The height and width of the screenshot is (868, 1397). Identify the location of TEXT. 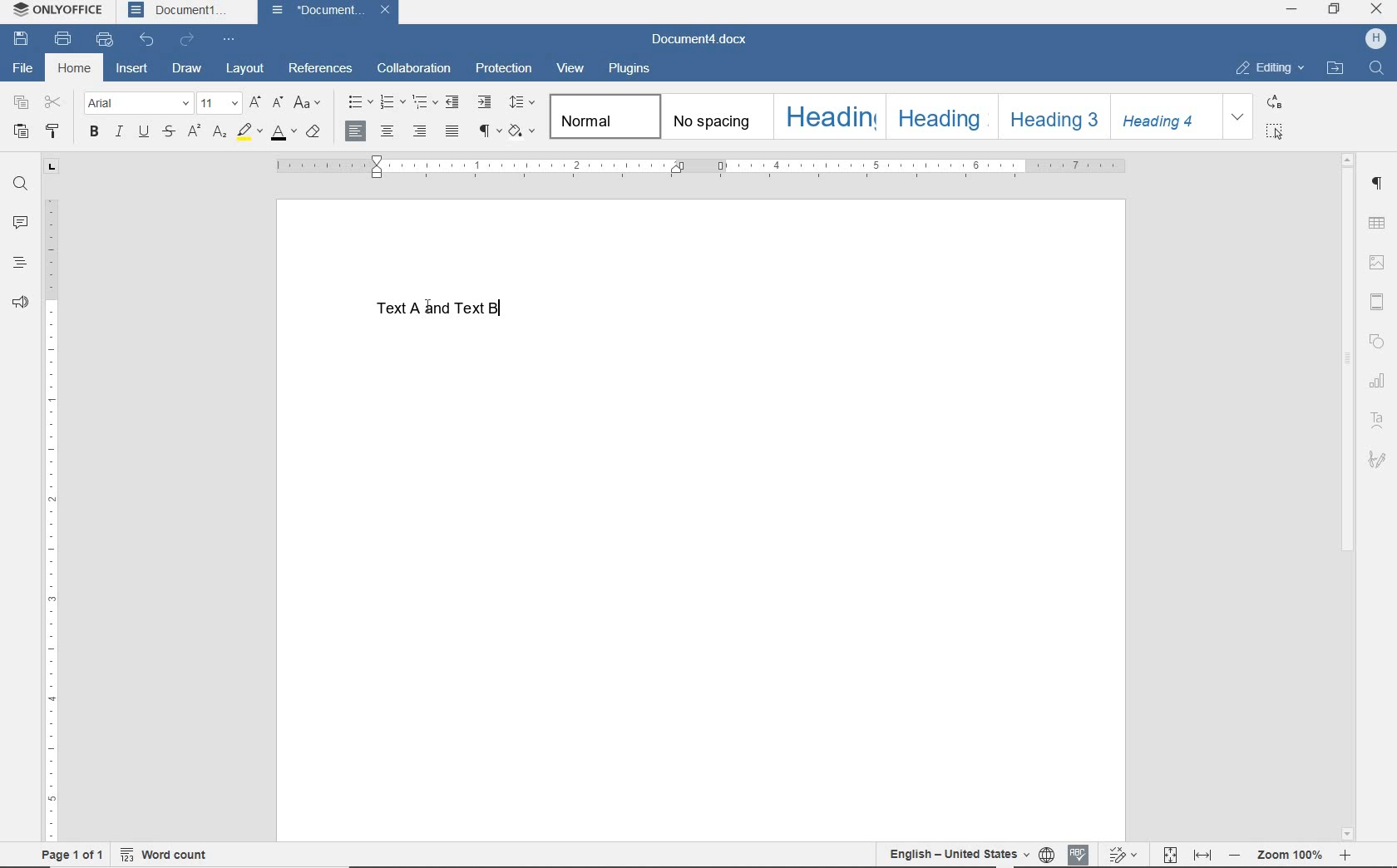
(456, 313).